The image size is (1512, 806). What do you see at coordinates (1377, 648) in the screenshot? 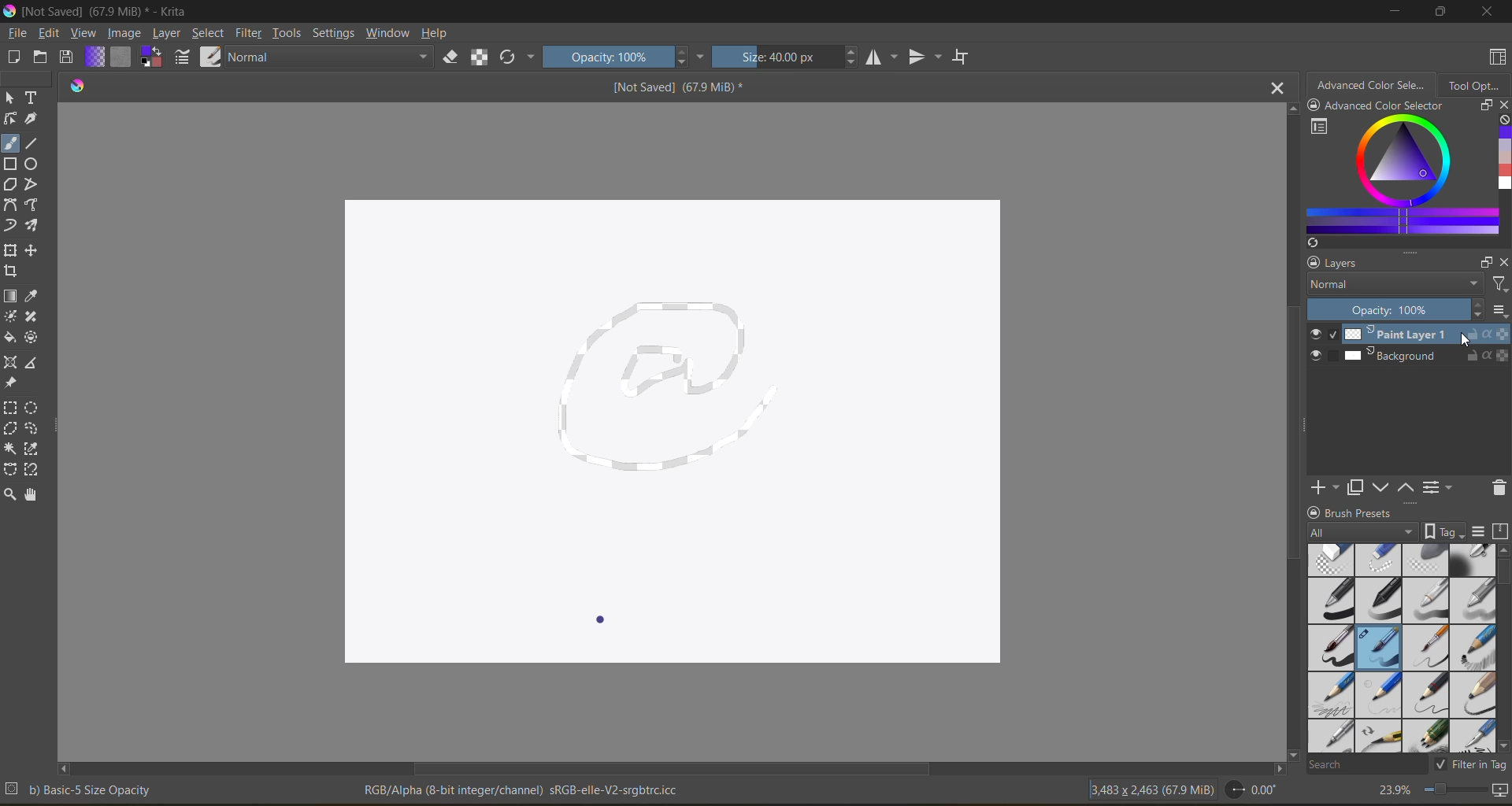
I see `brush` at bounding box center [1377, 648].